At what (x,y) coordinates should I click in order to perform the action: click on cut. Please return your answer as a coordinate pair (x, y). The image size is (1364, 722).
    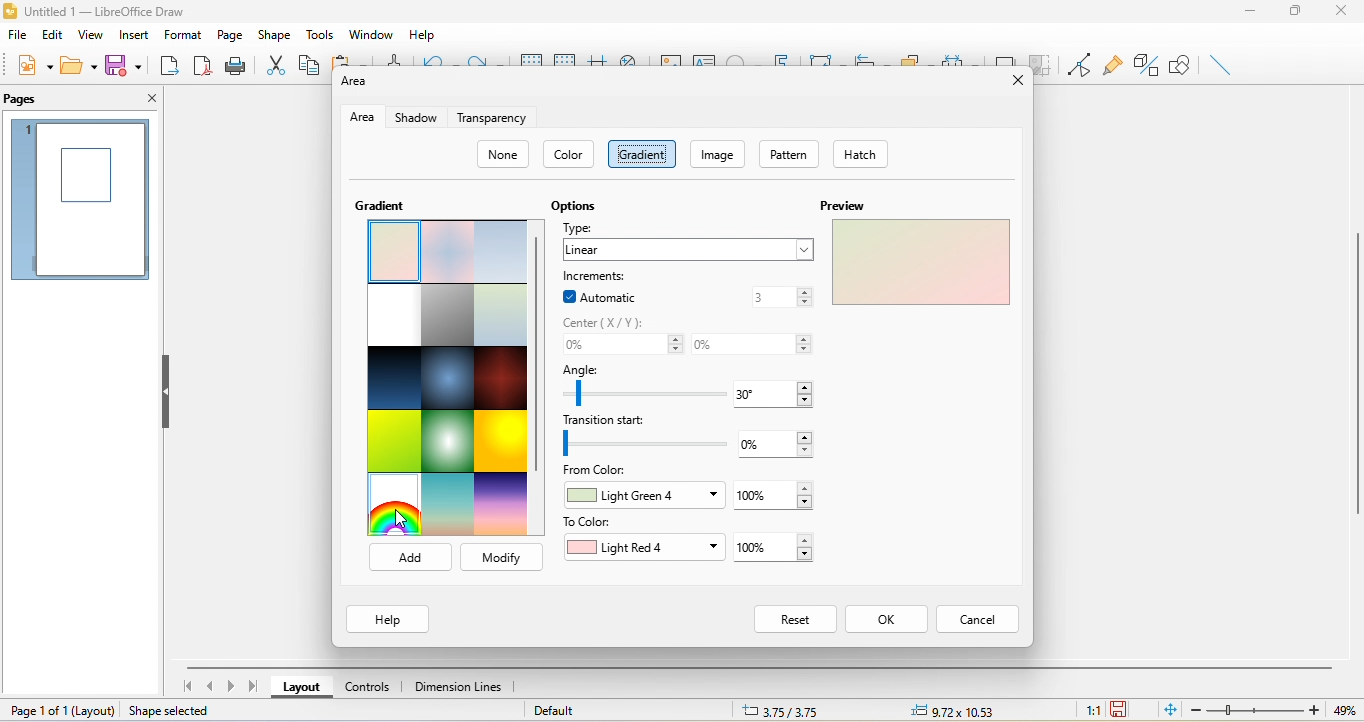
    Looking at the image, I should click on (277, 63).